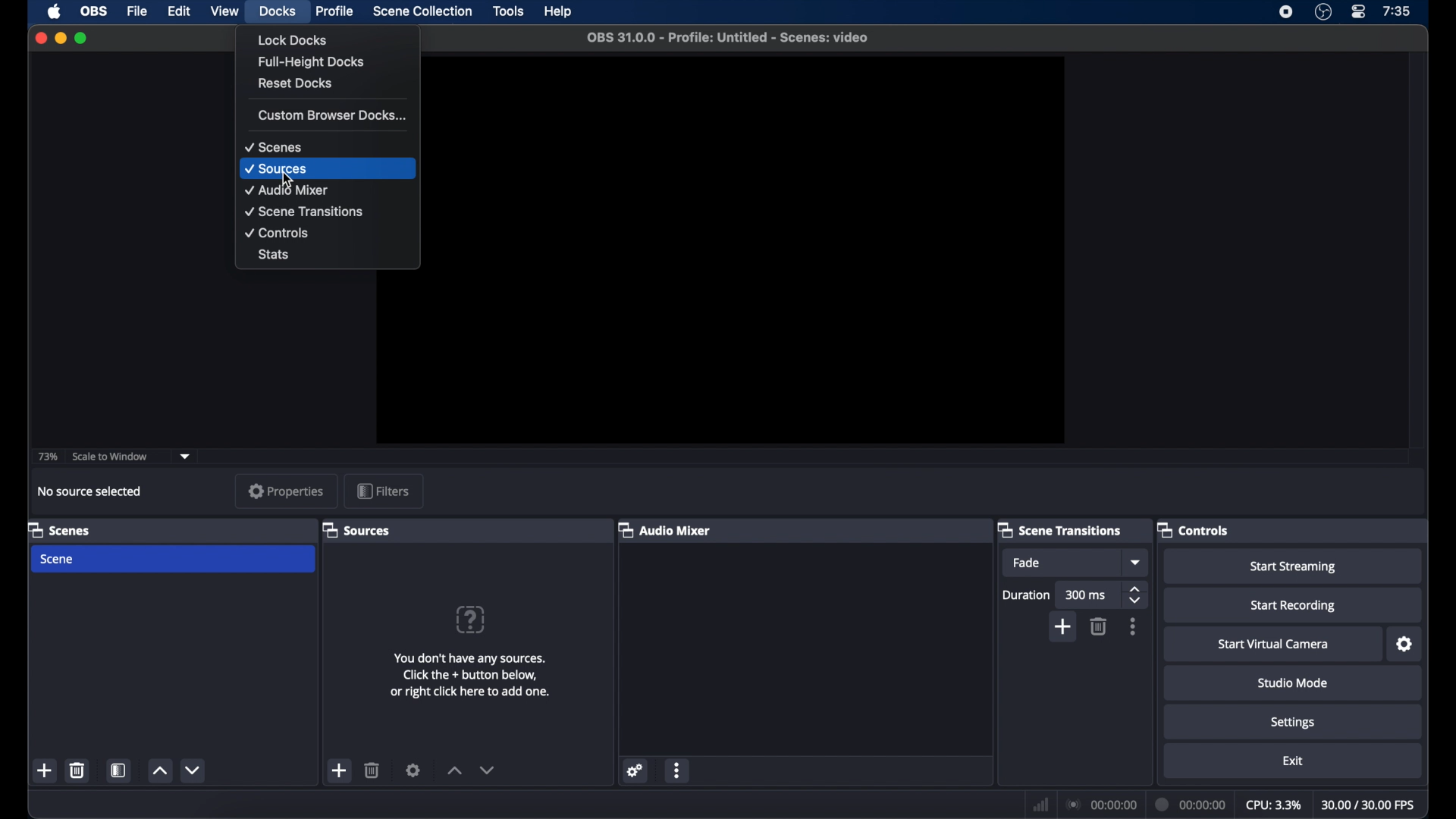 Image resolution: width=1456 pixels, height=819 pixels. Describe the element at coordinates (159, 771) in the screenshot. I see `increment` at that location.